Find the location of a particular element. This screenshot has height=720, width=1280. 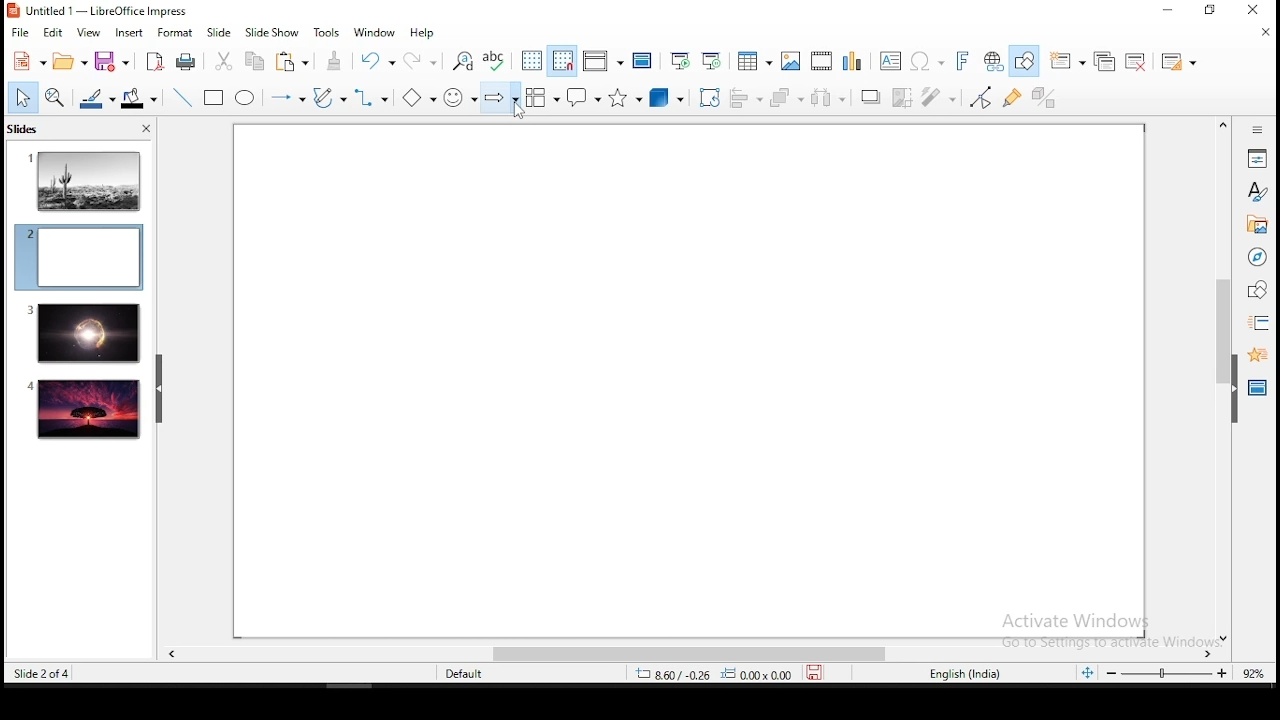

copy is located at coordinates (252, 61).